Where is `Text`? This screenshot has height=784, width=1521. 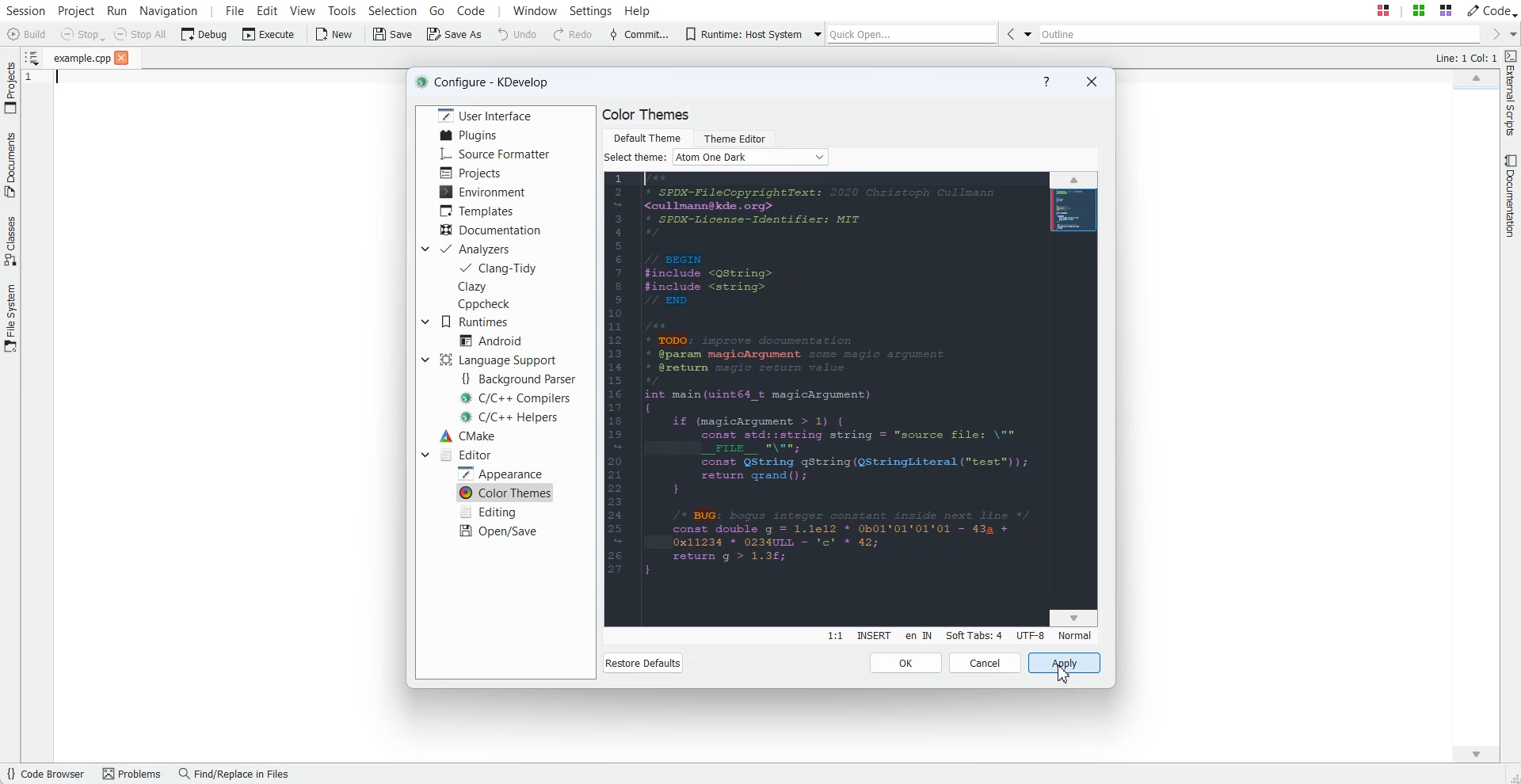 Text is located at coordinates (489, 82).